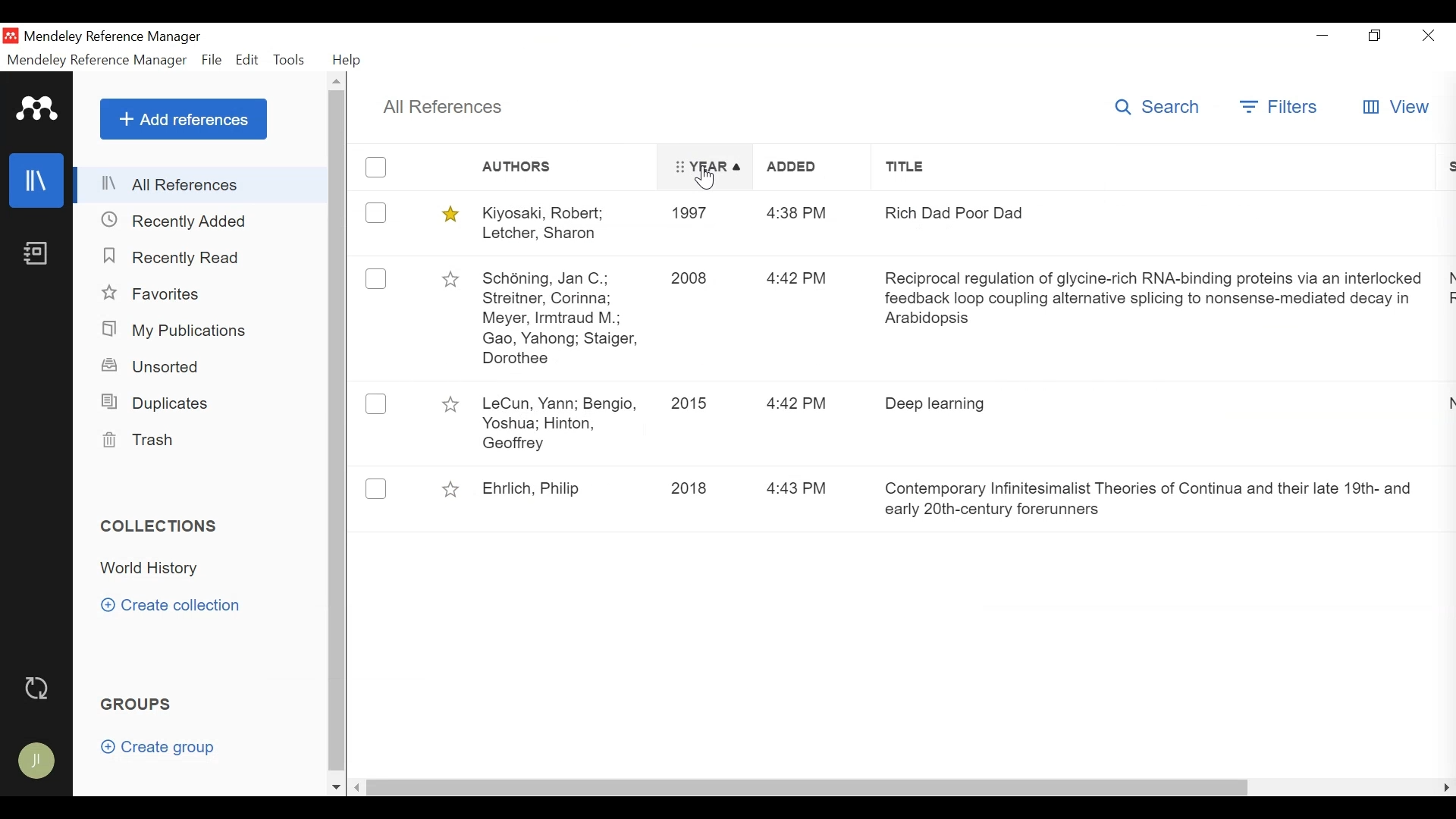 The height and width of the screenshot is (819, 1456). What do you see at coordinates (161, 748) in the screenshot?
I see `Create Group` at bounding box center [161, 748].